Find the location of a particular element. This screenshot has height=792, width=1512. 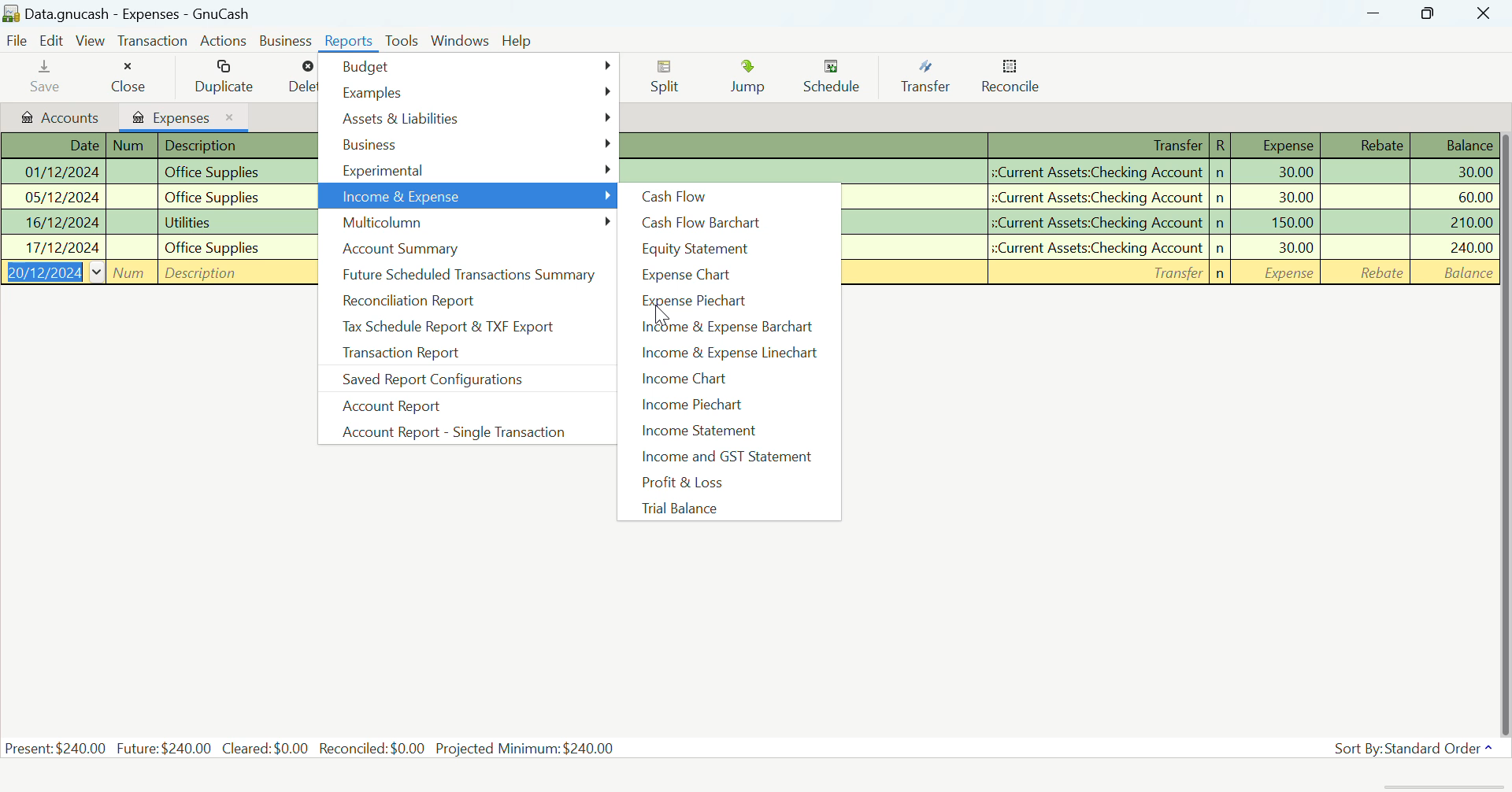

Business is located at coordinates (469, 146).